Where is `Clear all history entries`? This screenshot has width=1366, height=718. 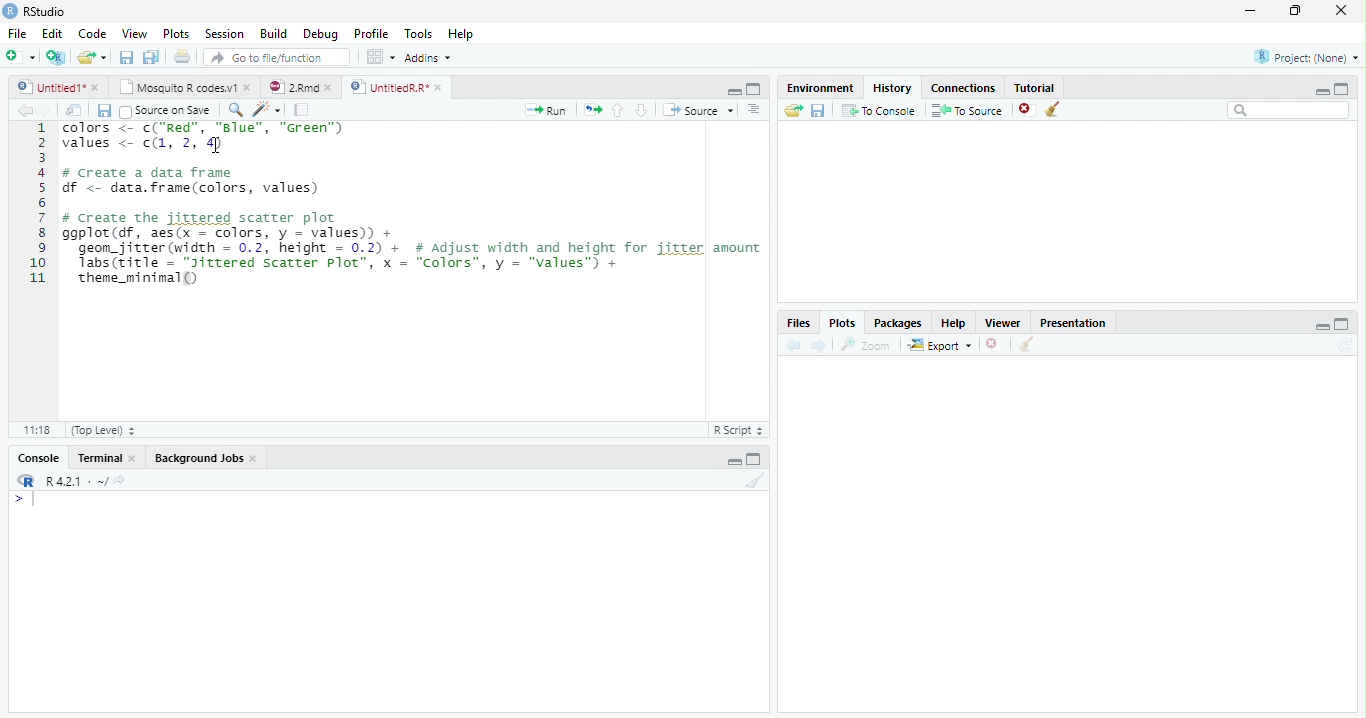 Clear all history entries is located at coordinates (1055, 109).